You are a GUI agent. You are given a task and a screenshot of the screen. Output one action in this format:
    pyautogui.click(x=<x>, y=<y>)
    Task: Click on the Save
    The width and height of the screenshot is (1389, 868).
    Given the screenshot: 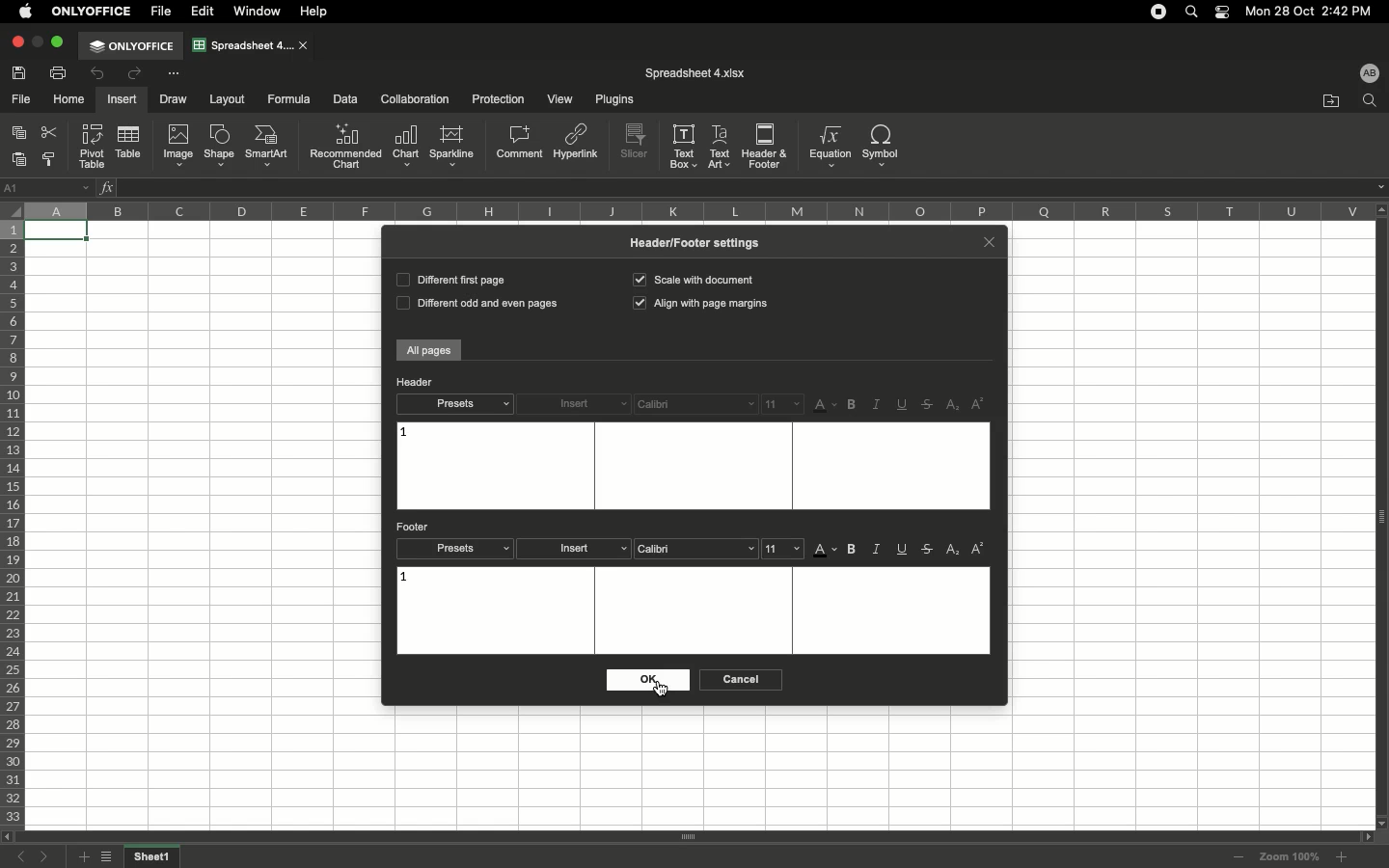 What is the action you would take?
    pyautogui.click(x=22, y=72)
    